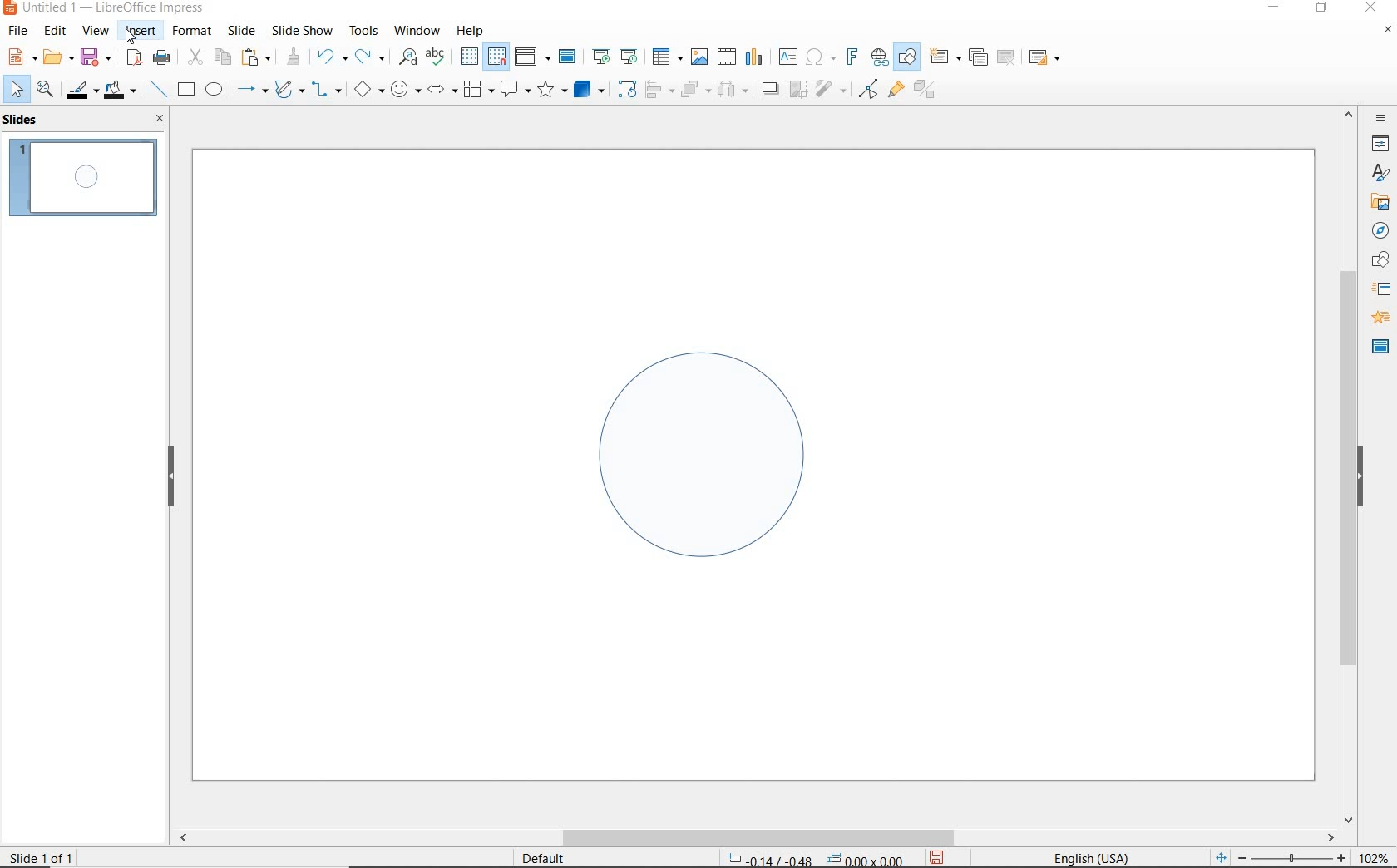 The width and height of the screenshot is (1397, 868). I want to click on stars and banners, so click(551, 91).